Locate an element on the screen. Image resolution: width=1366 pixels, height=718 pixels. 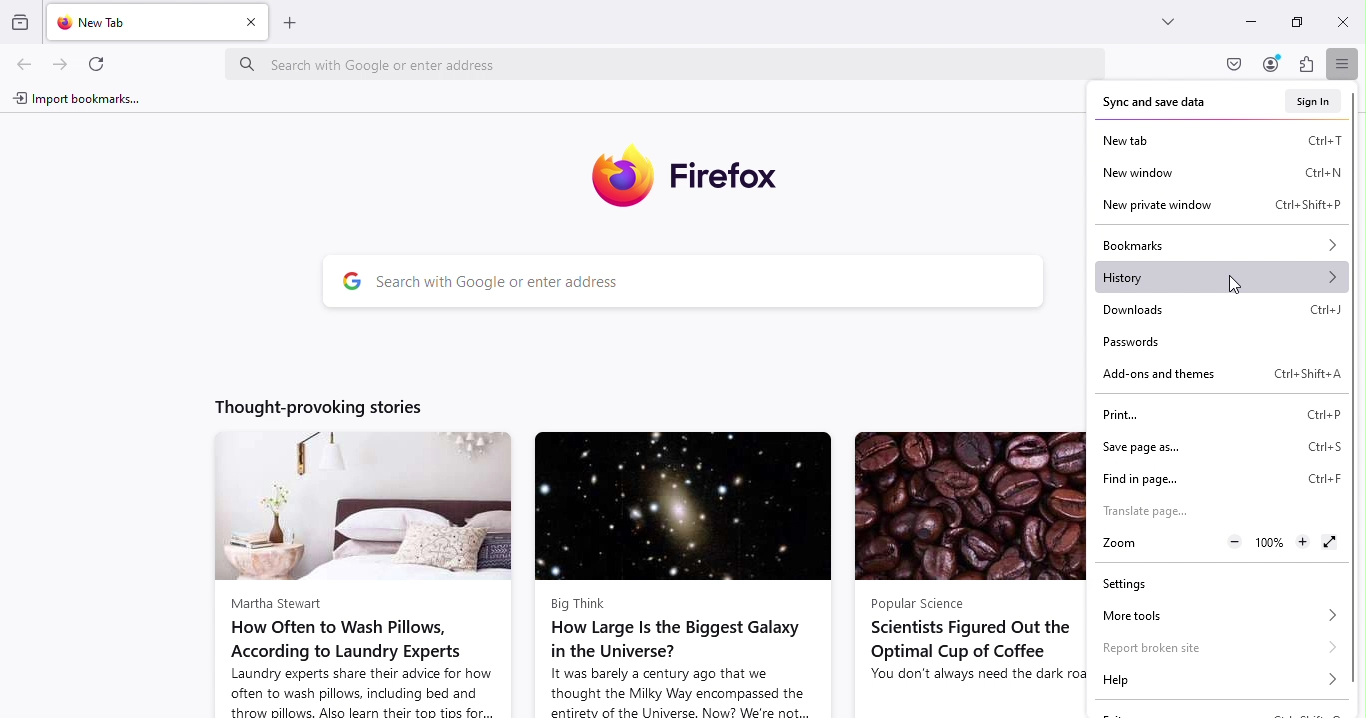
New windows is located at coordinates (1220, 172).